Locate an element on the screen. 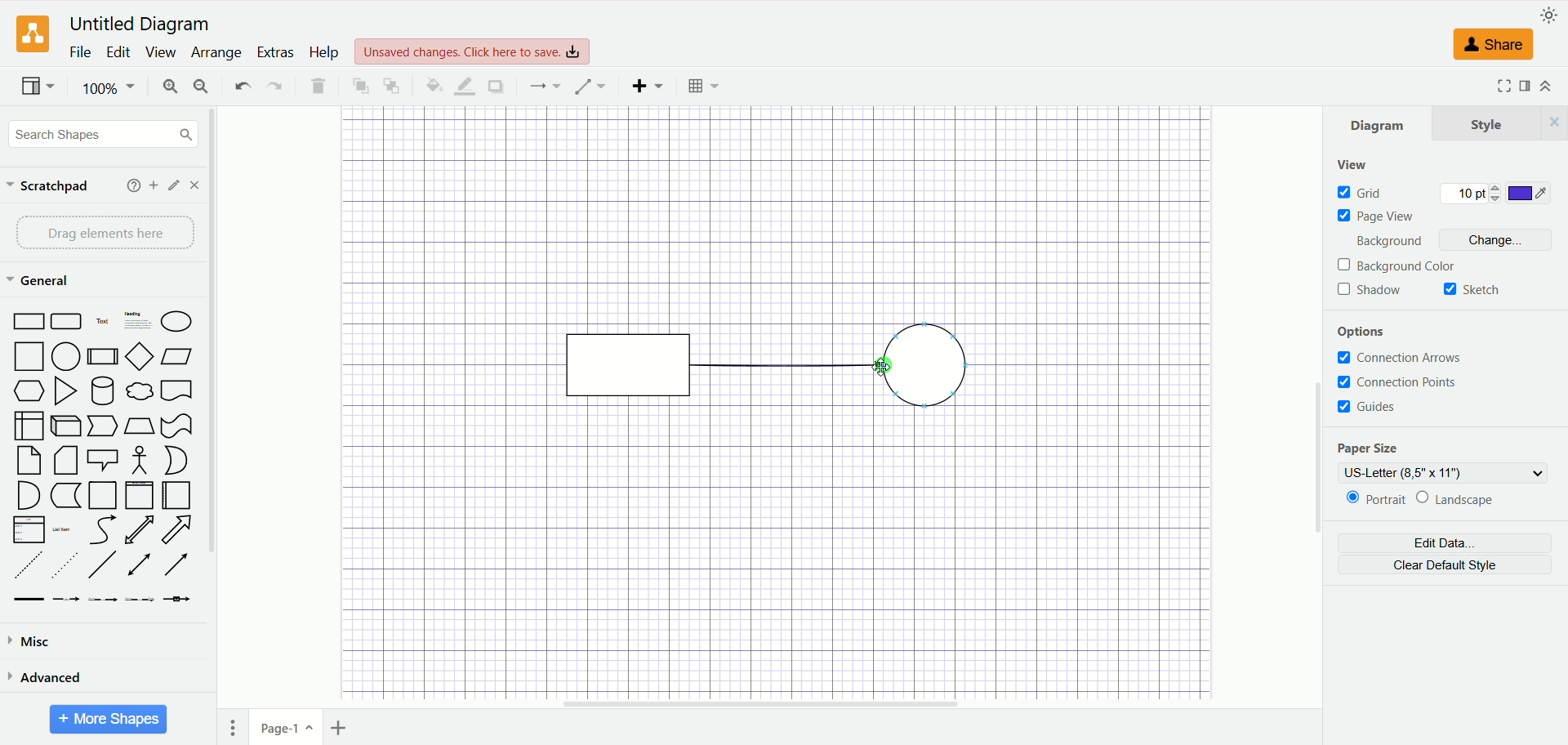 This screenshot has height=745, width=1568. Two way Arrow is located at coordinates (141, 530).